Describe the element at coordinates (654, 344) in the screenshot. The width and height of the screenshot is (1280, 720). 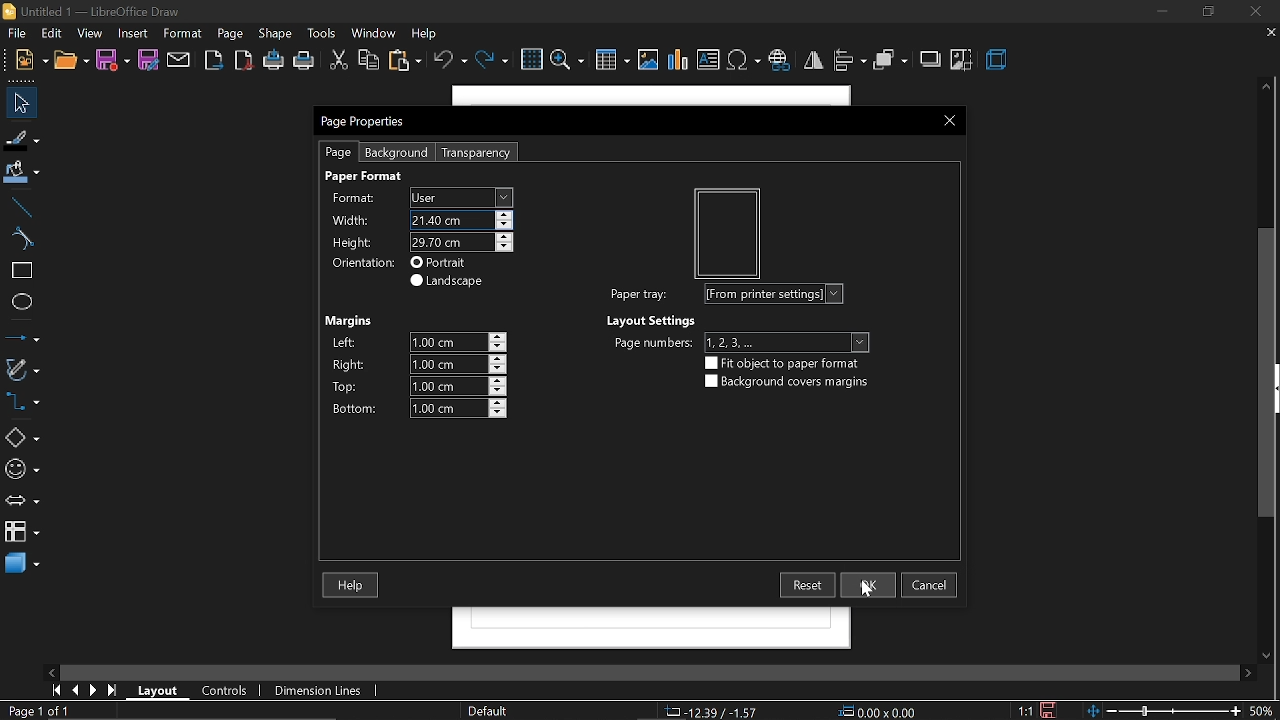
I see `page number` at that location.